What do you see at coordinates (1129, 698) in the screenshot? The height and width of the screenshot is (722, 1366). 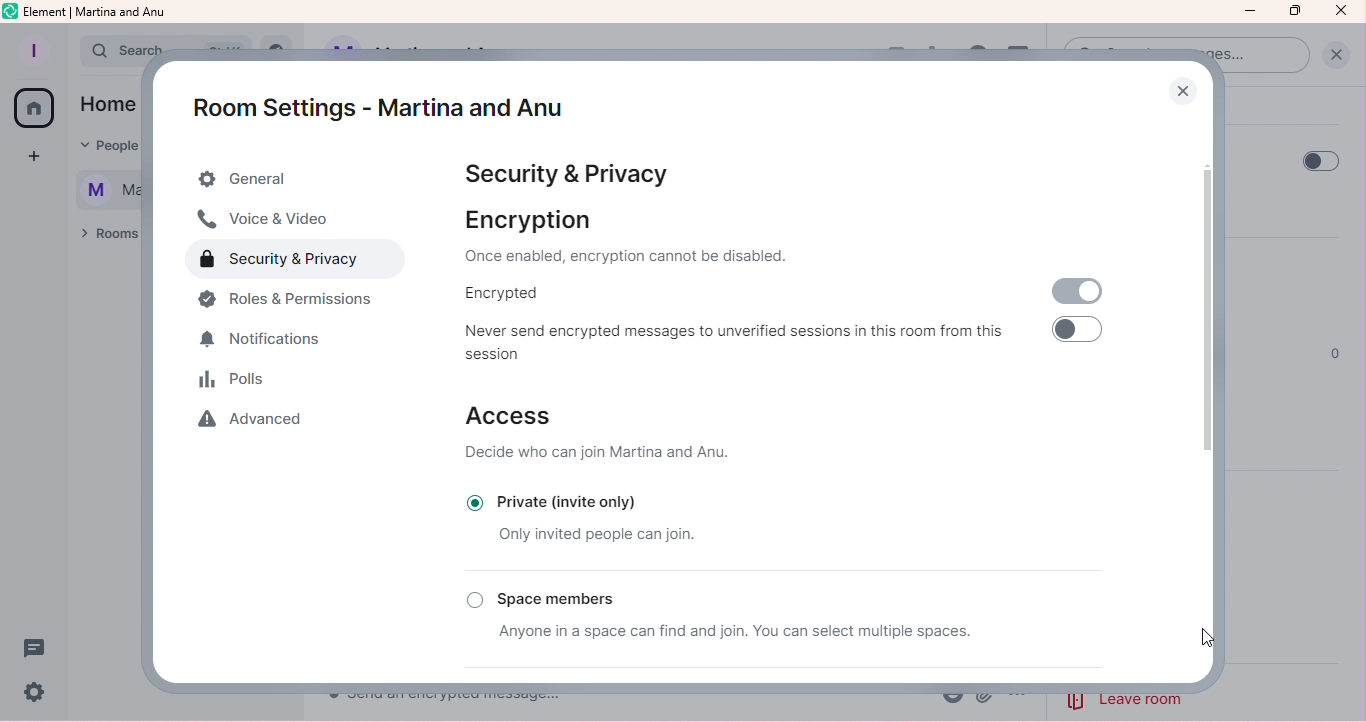 I see `leave room` at bounding box center [1129, 698].